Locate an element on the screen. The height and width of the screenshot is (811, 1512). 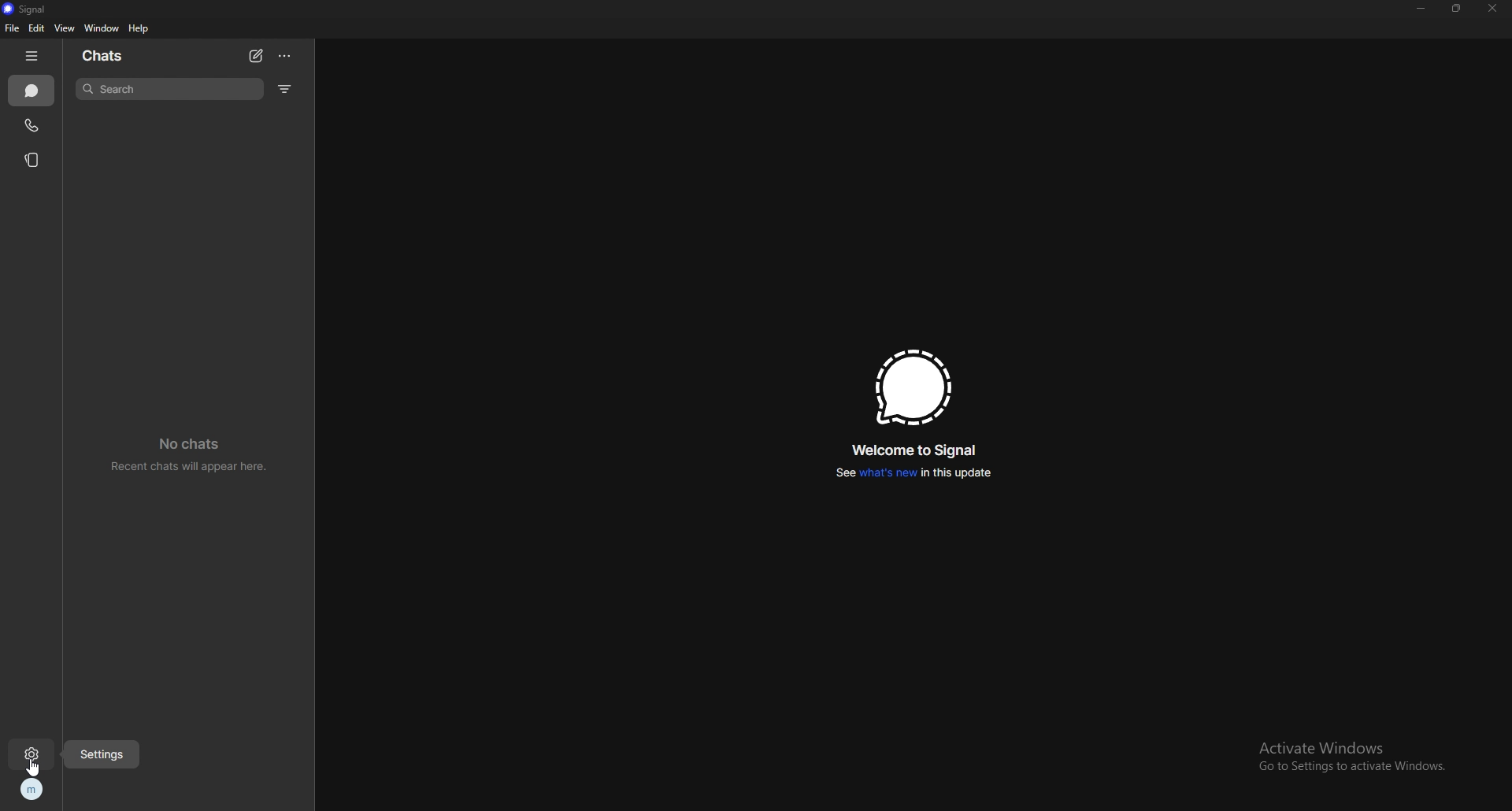
no chats is located at coordinates (196, 454).